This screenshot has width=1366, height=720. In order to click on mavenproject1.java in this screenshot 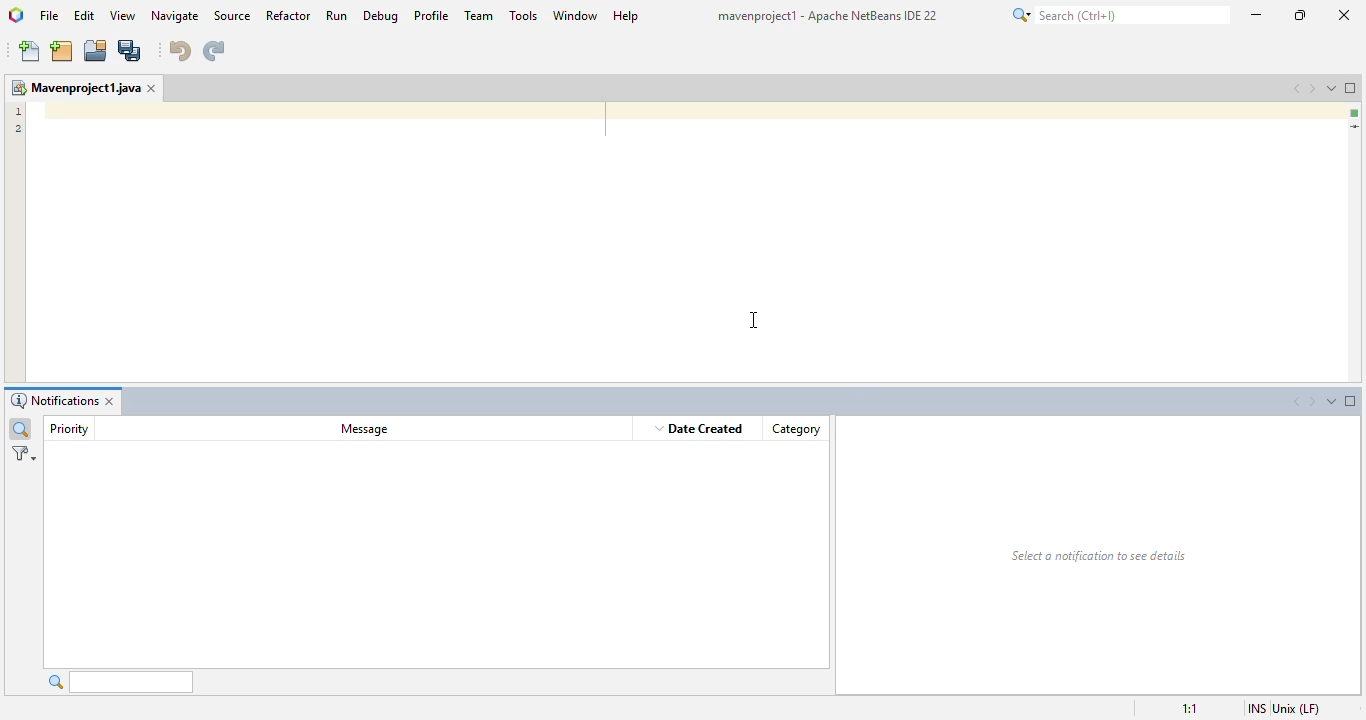, I will do `click(75, 87)`.